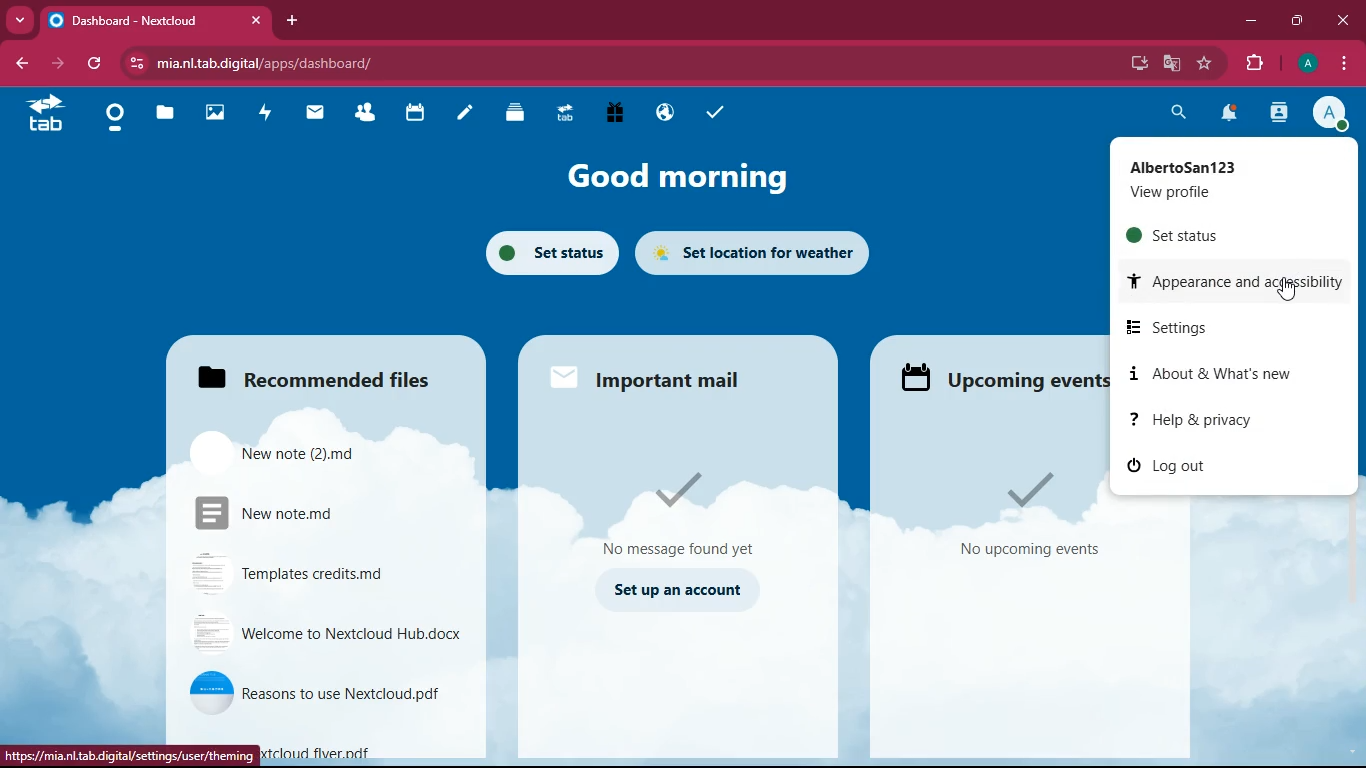 The image size is (1366, 768). I want to click on file, so click(298, 451).